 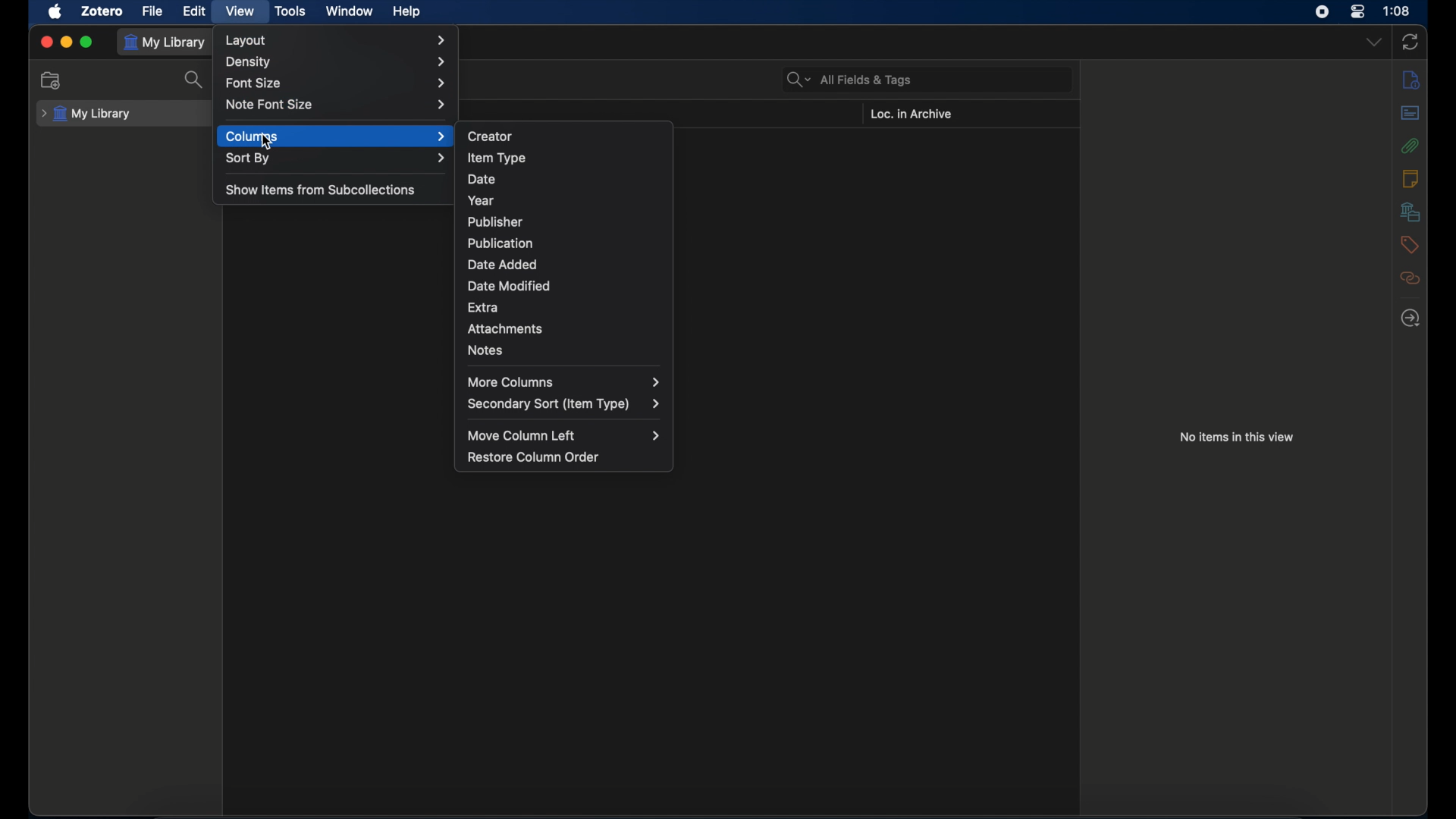 What do you see at coordinates (500, 243) in the screenshot?
I see `publication` at bounding box center [500, 243].